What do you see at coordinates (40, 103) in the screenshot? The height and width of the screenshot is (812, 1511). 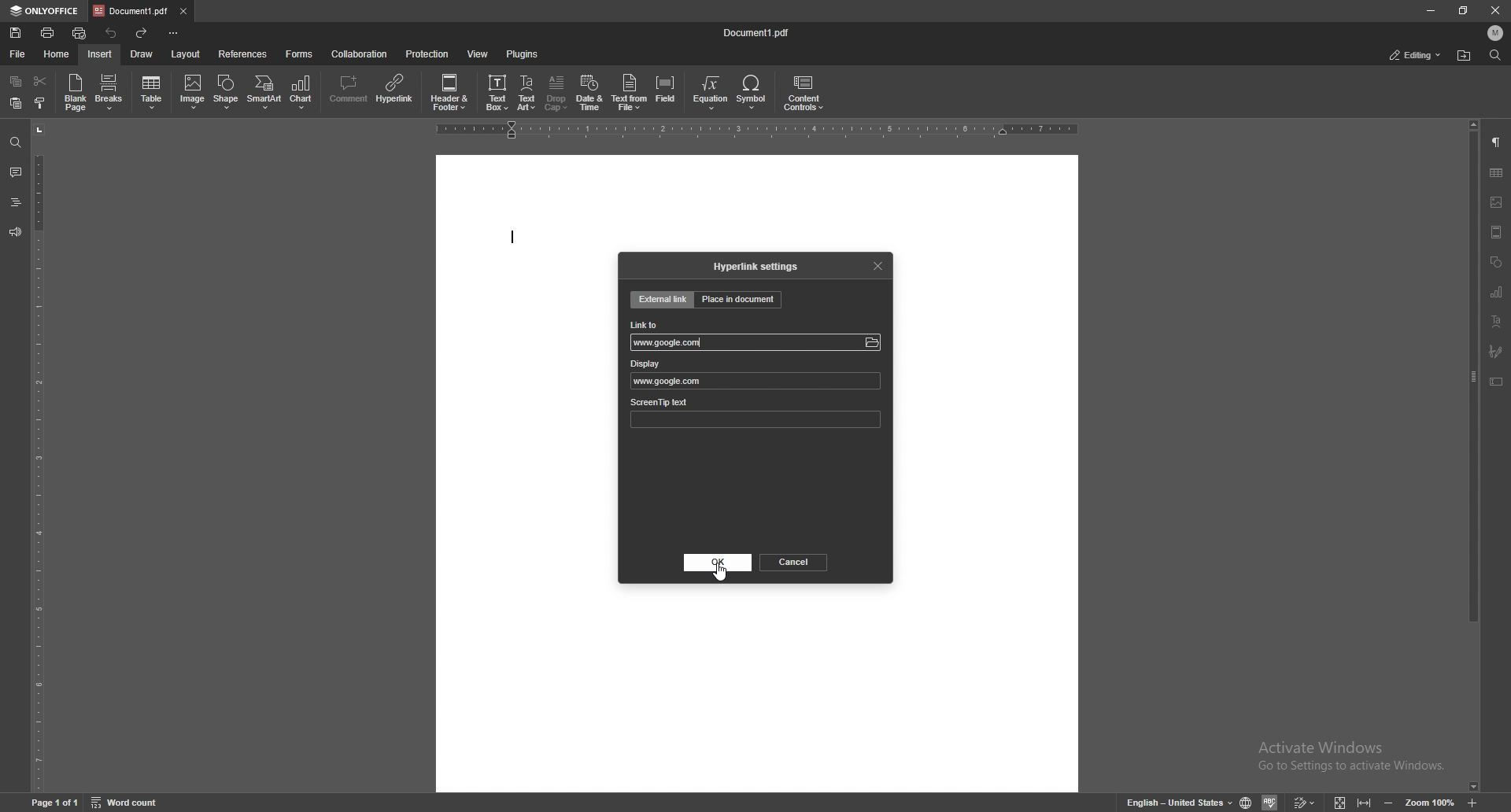 I see `copy style` at bounding box center [40, 103].